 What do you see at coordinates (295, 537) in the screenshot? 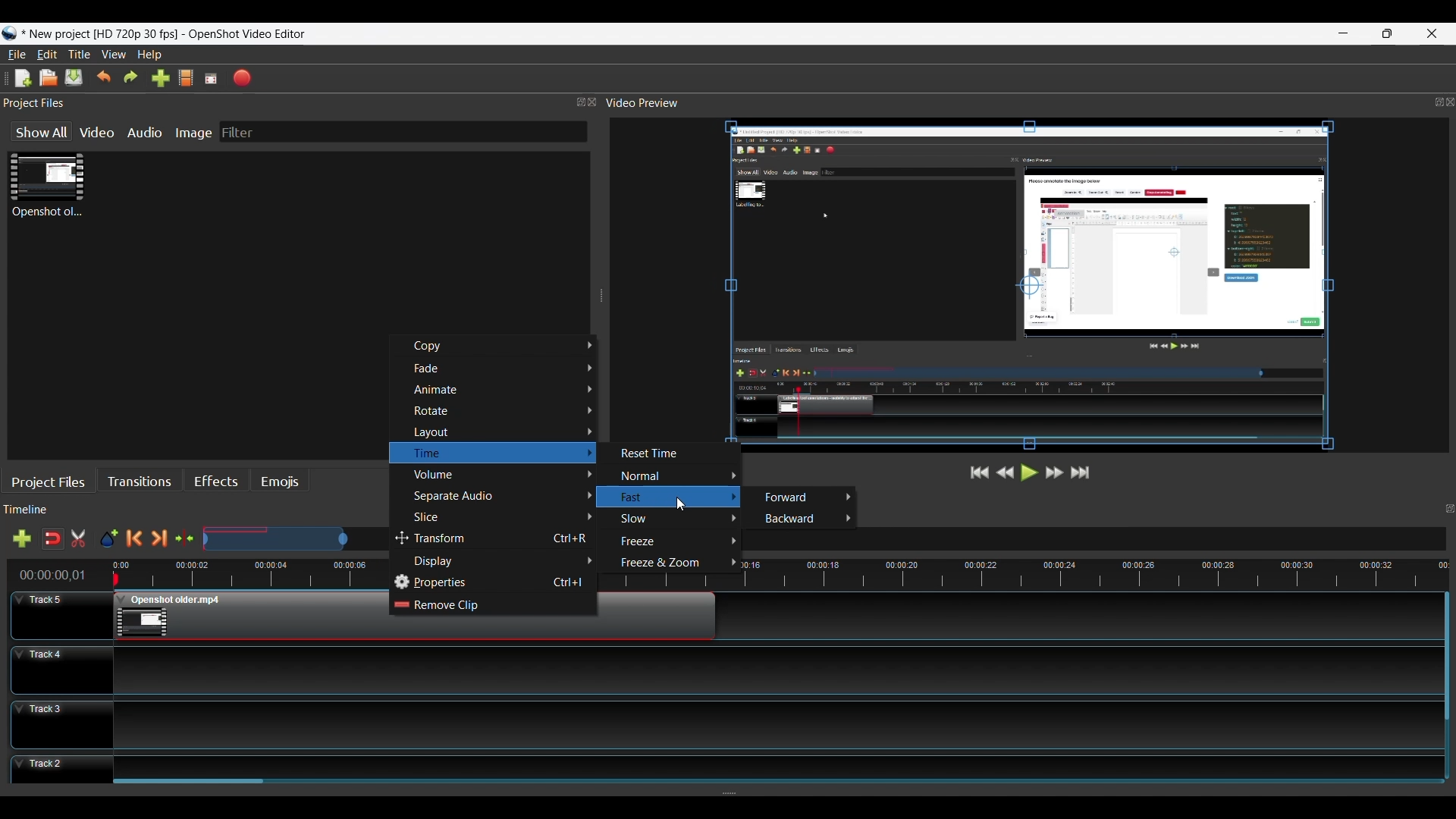
I see `Zoom Slide` at bounding box center [295, 537].